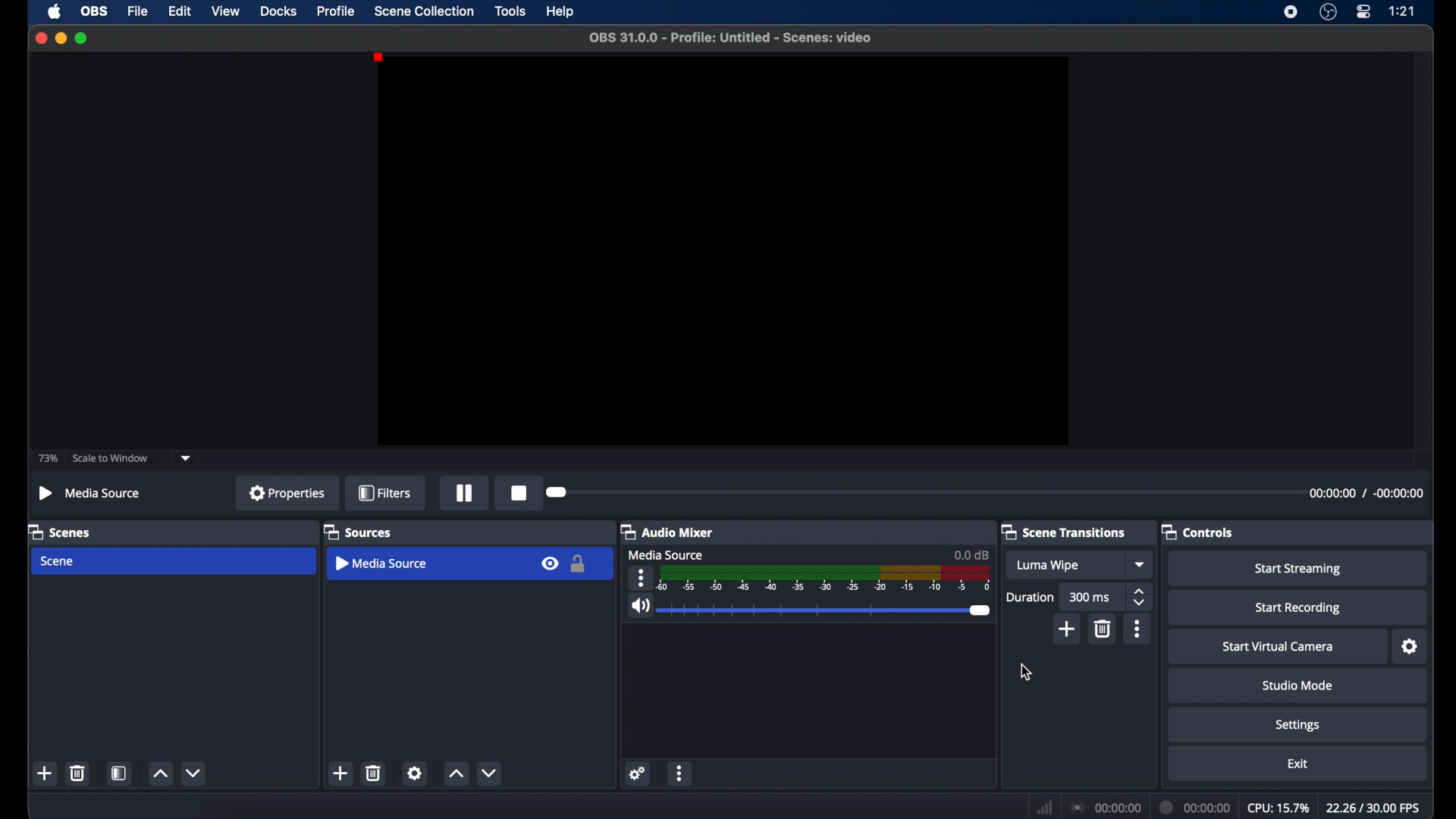 The image size is (1456, 819). What do you see at coordinates (1048, 565) in the screenshot?
I see `luma wipe` at bounding box center [1048, 565].